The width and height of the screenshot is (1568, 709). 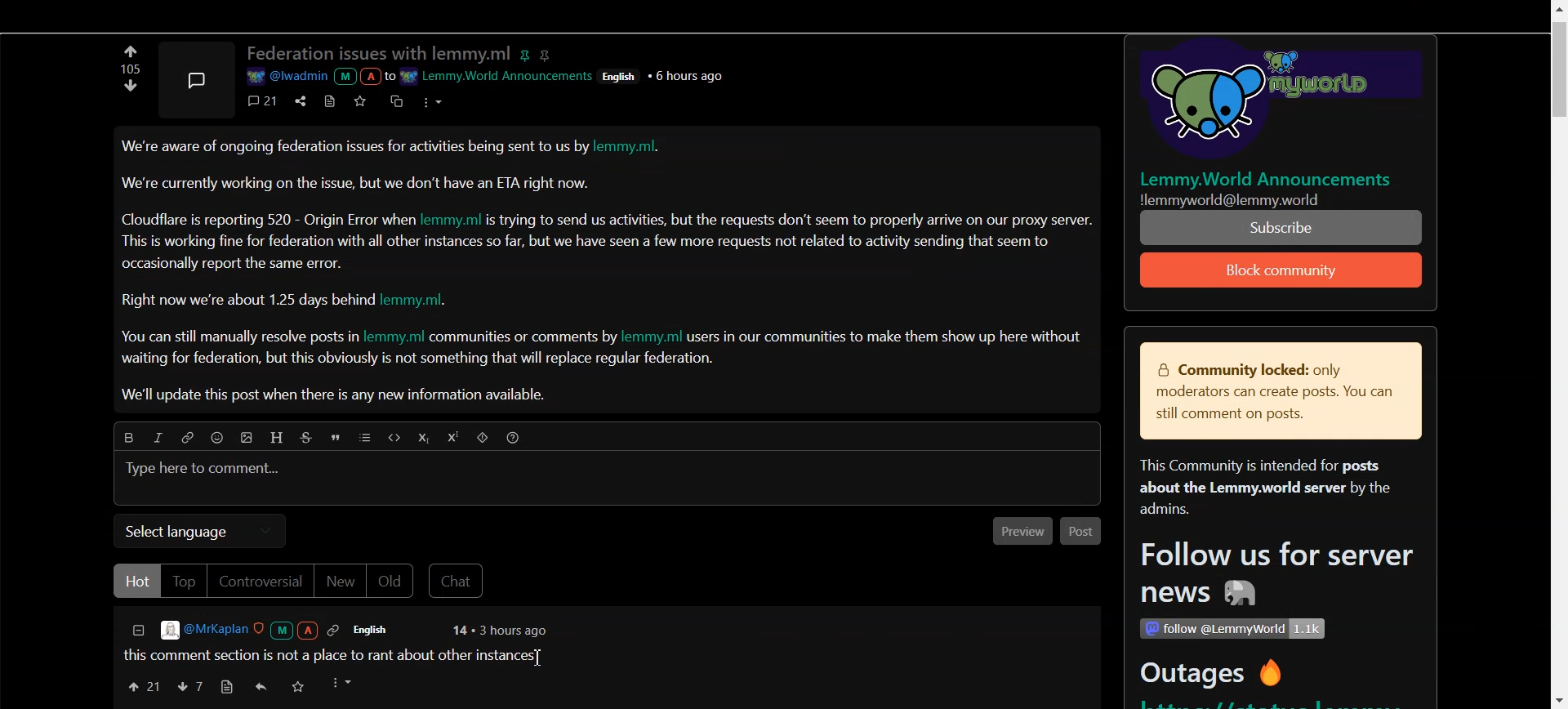 What do you see at coordinates (1232, 629) in the screenshot?
I see `` at bounding box center [1232, 629].